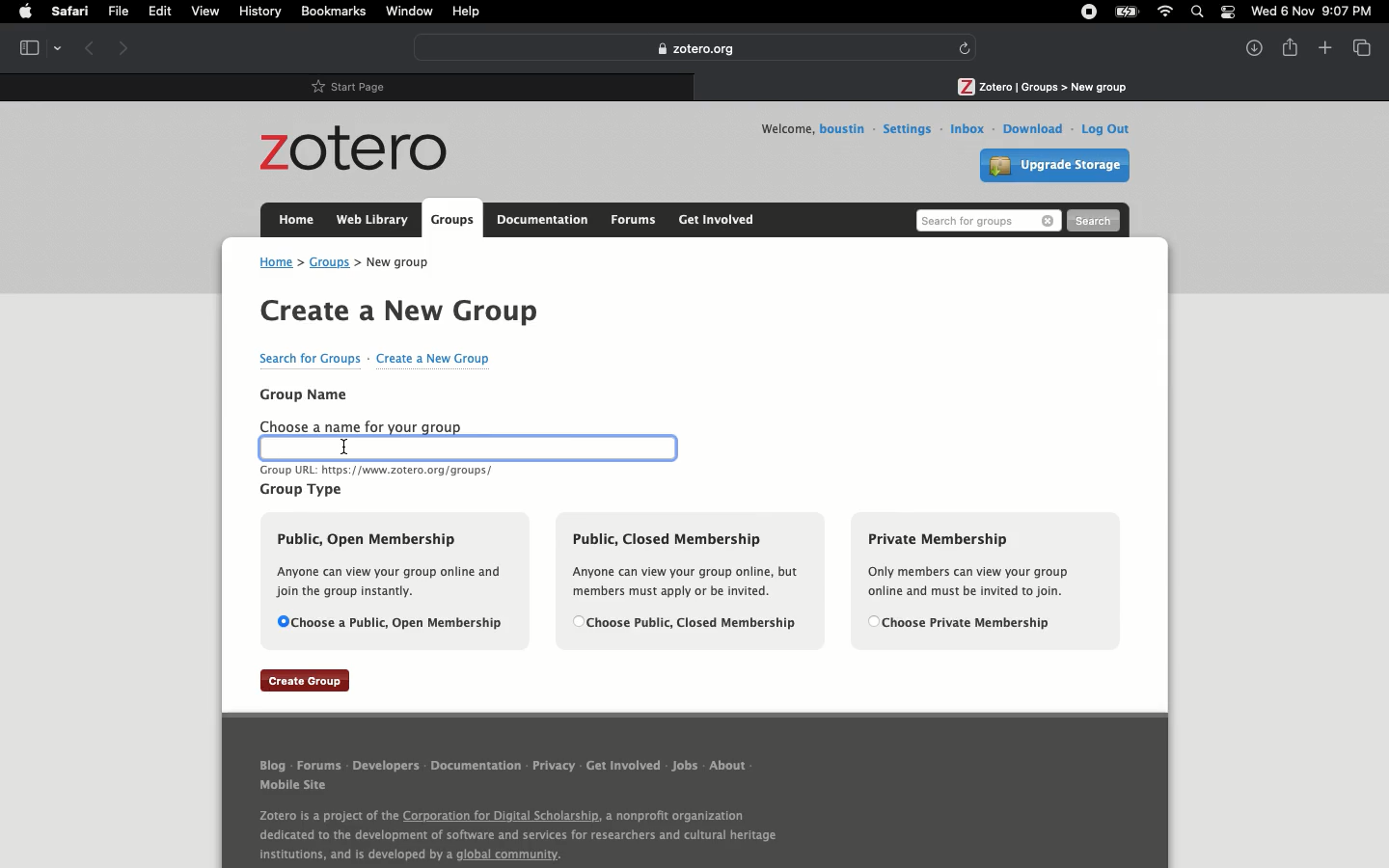  What do you see at coordinates (543, 220) in the screenshot?
I see `Documentation` at bounding box center [543, 220].